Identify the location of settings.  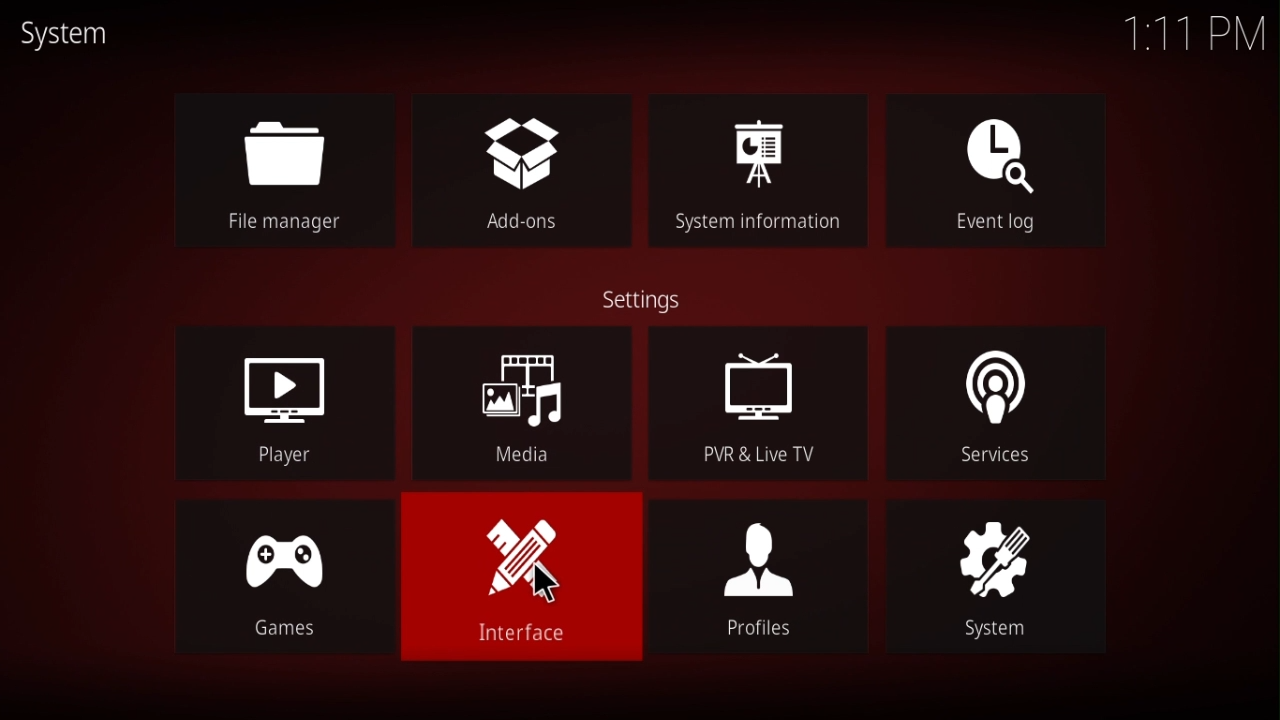
(650, 300).